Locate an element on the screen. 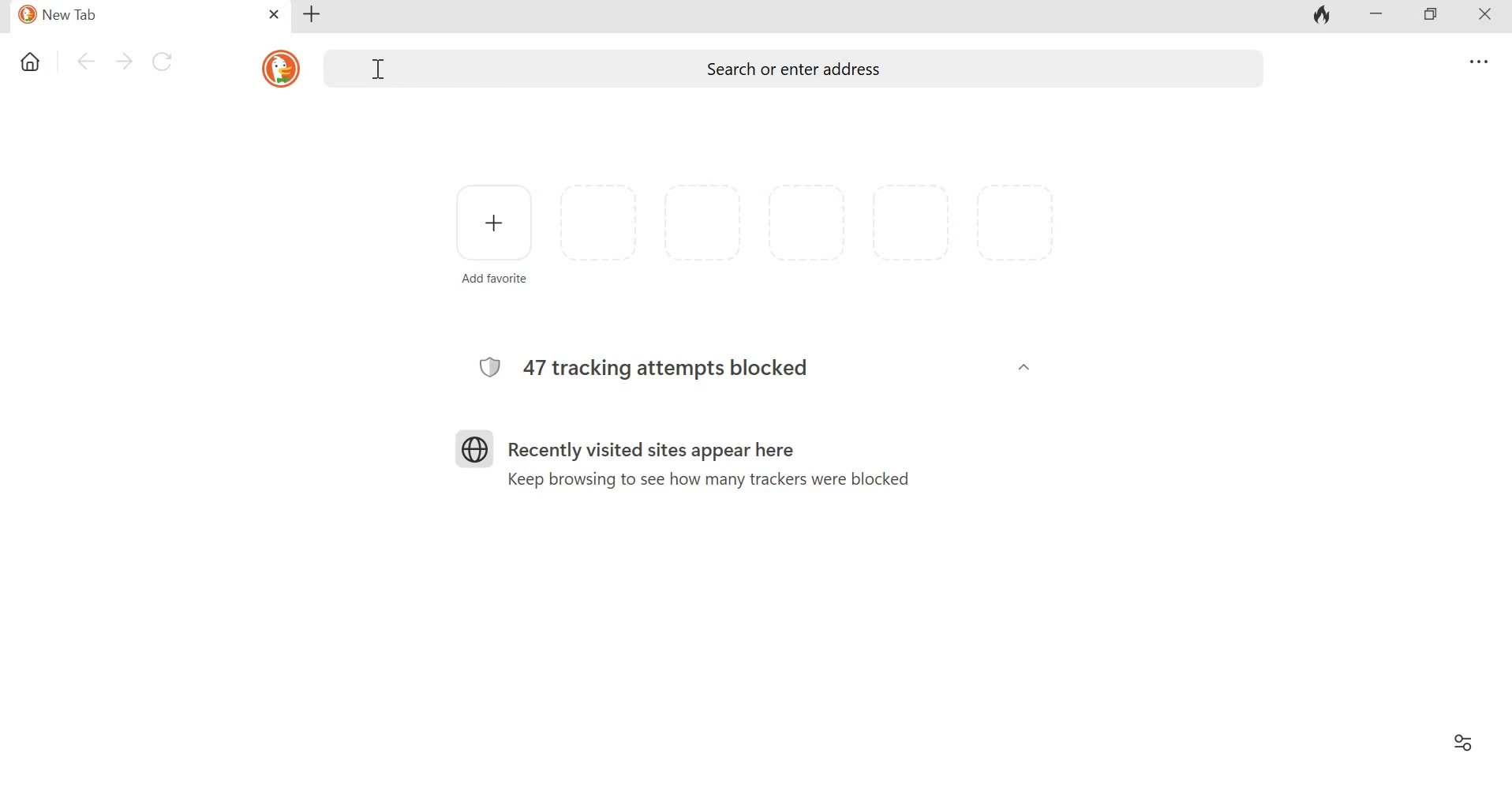  Go forward page is located at coordinates (124, 60).